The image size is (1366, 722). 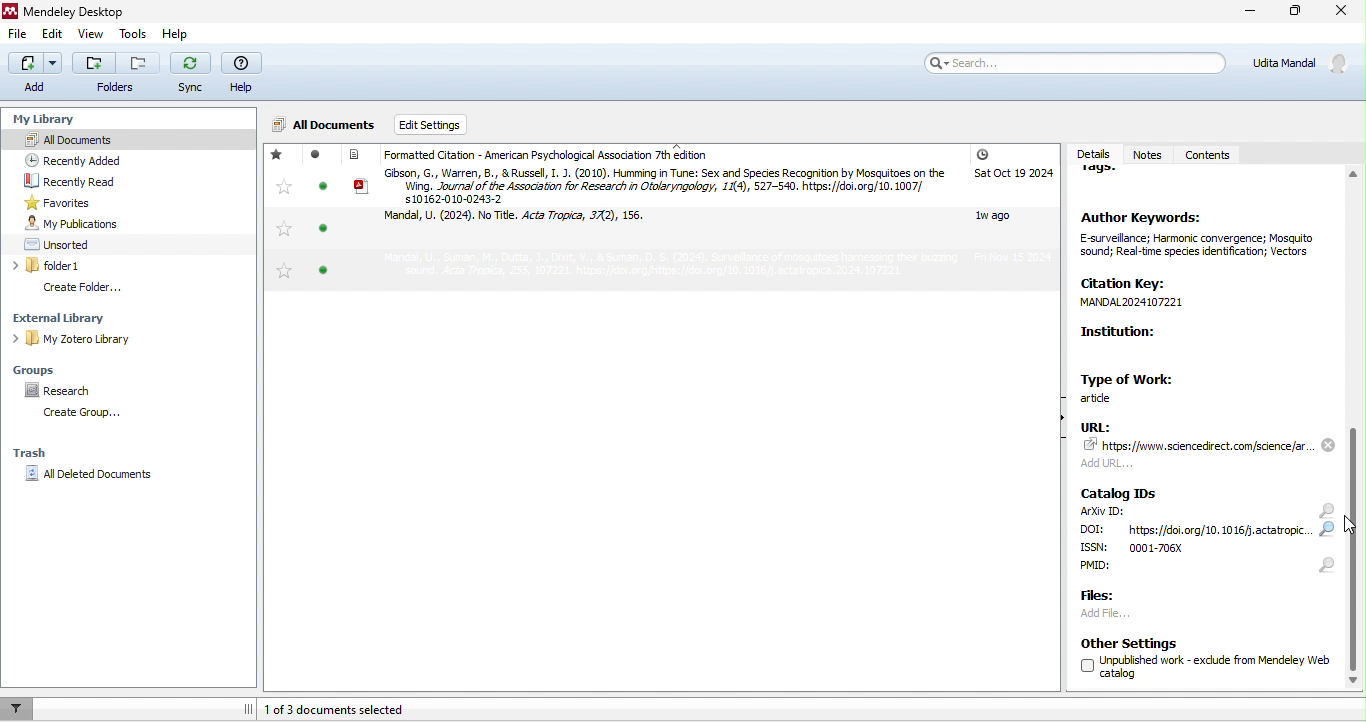 I want to click on read/unread, so click(x=319, y=219).